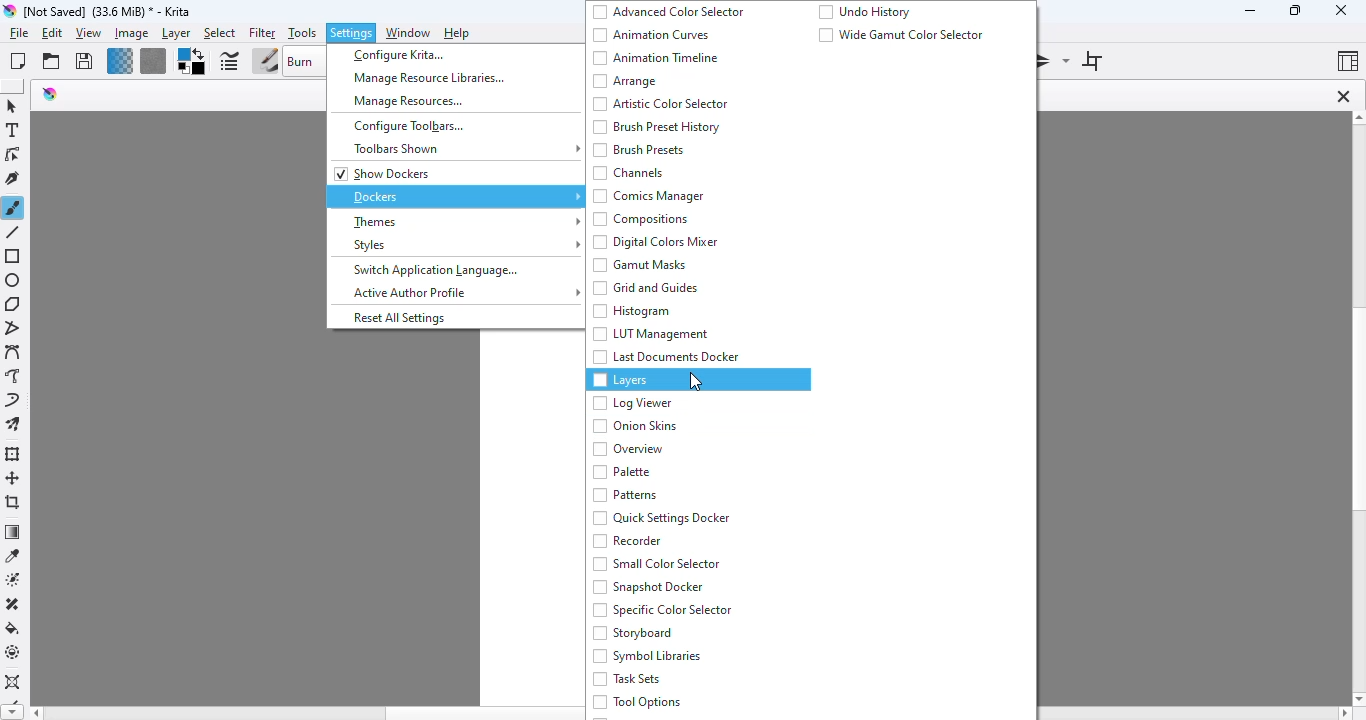 This screenshot has width=1366, height=720. Describe the element at coordinates (458, 33) in the screenshot. I see `help` at that location.